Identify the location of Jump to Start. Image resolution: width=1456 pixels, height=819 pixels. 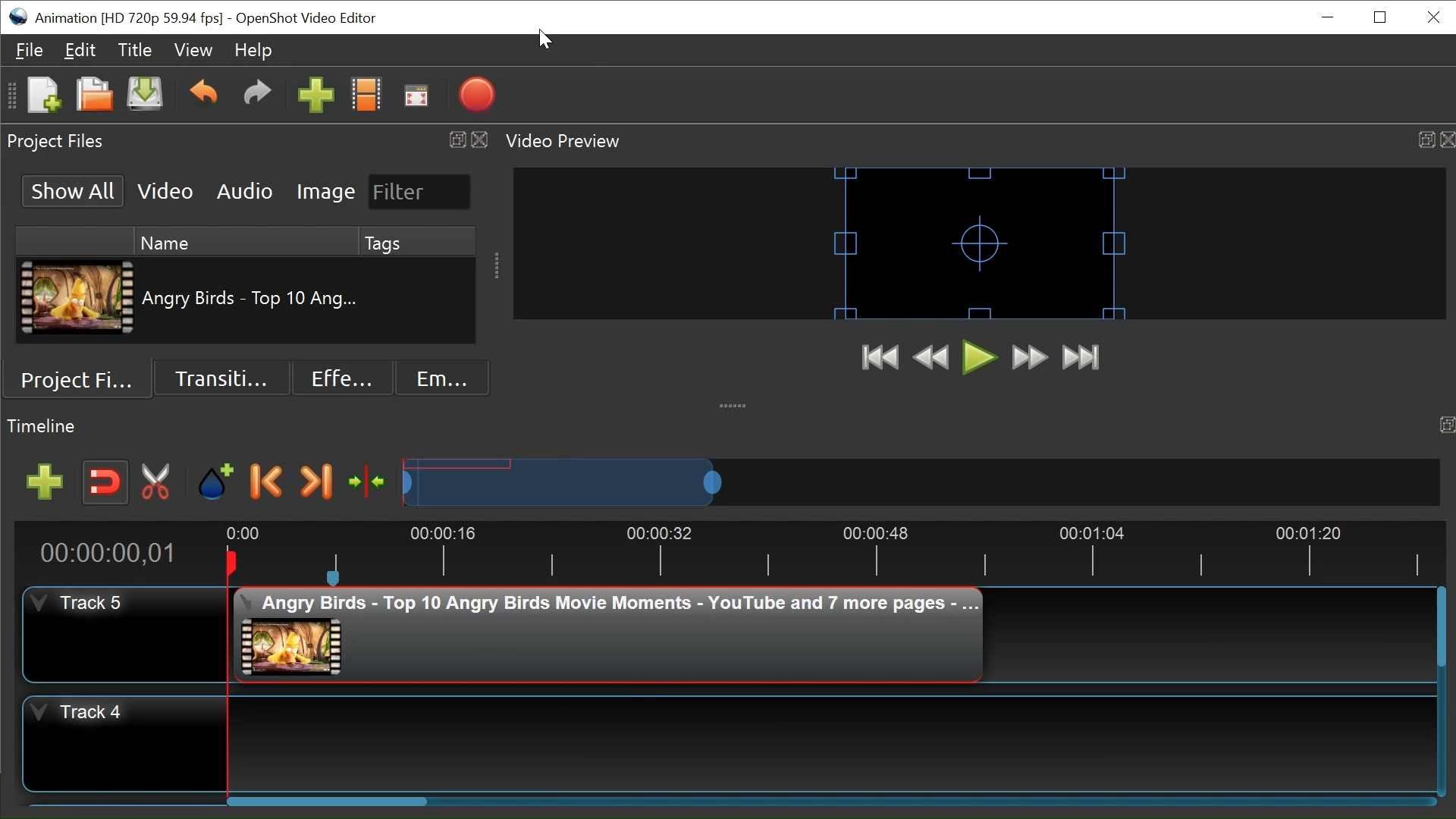
(883, 359).